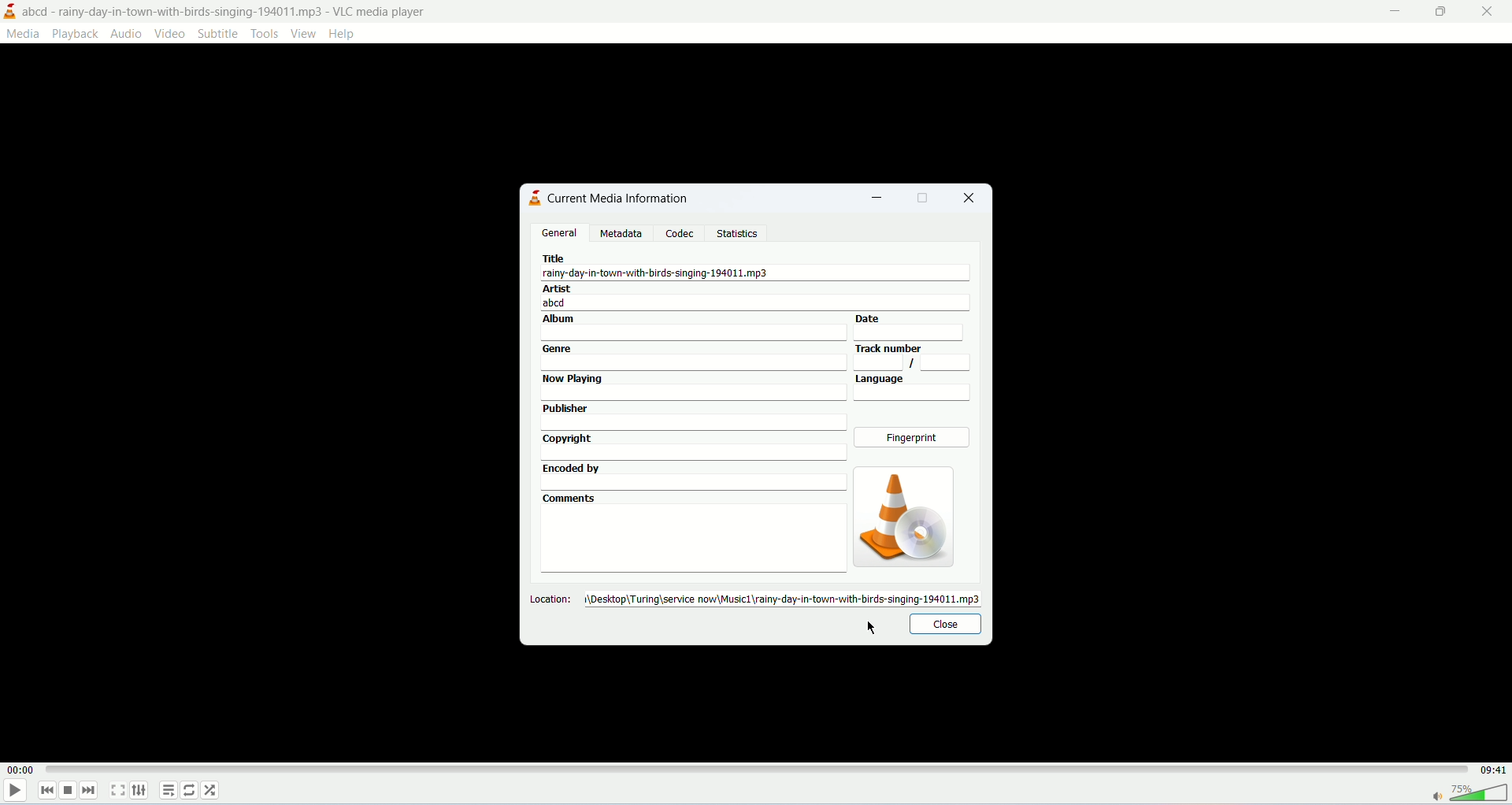 The image size is (1512, 805). What do you see at coordinates (560, 232) in the screenshot?
I see `general` at bounding box center [560, 232].